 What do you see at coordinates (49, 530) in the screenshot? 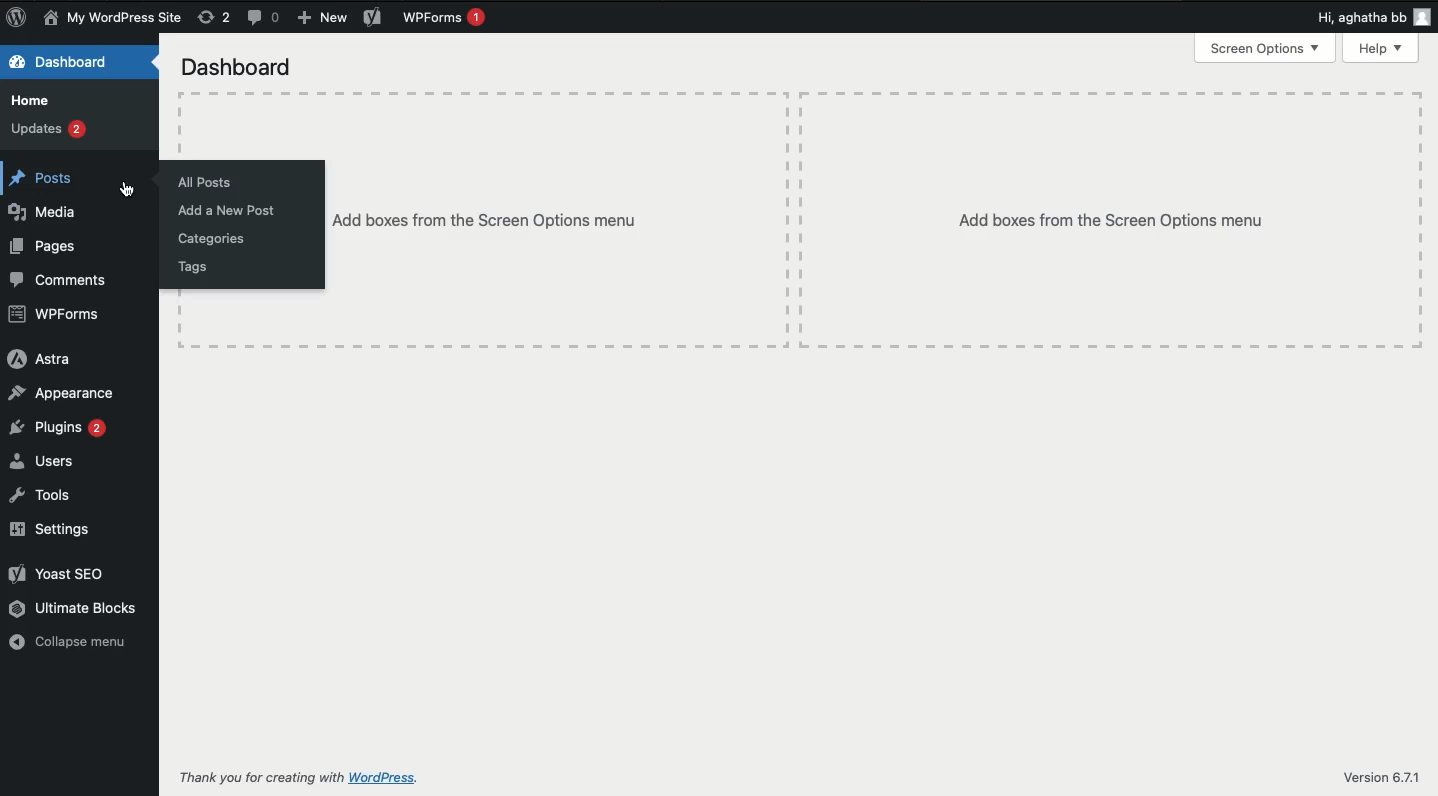
I see `Settings` at bounding box center [49, 530].